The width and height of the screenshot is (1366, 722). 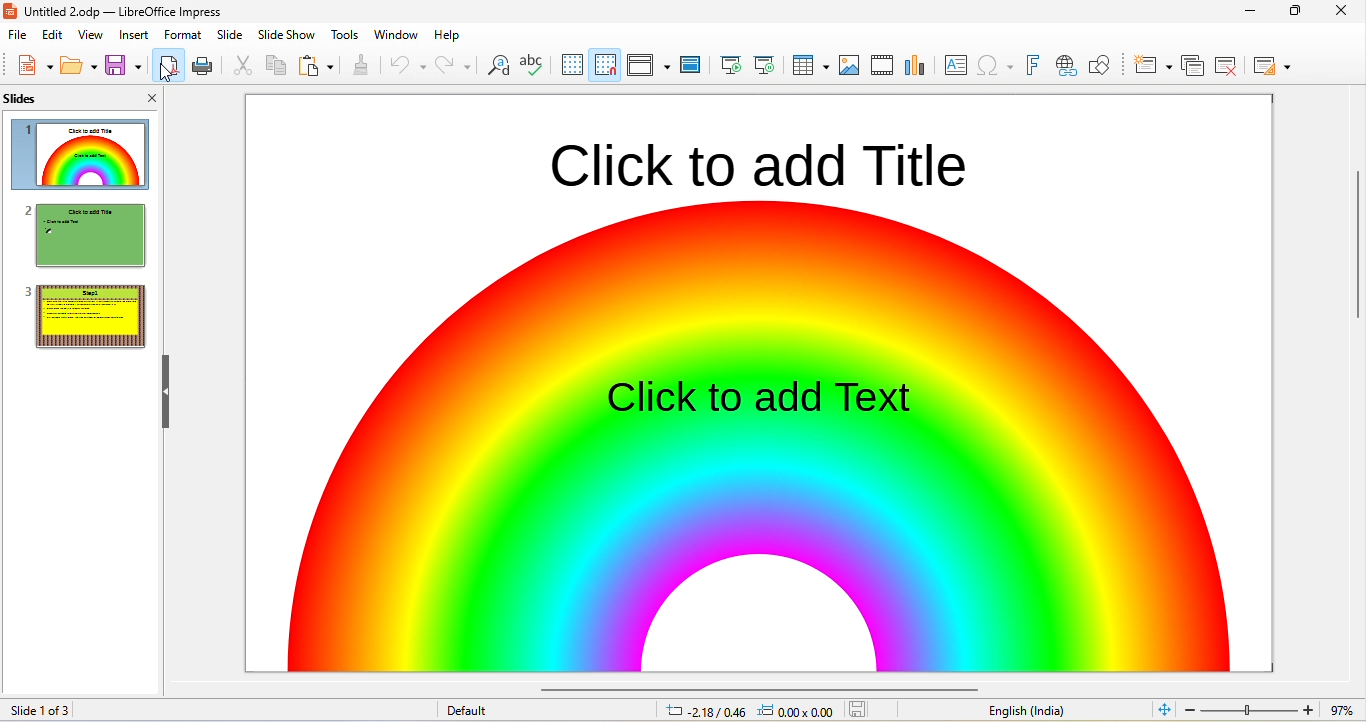 I want to click on slide 1 of 3, so click(x=73, y=710).